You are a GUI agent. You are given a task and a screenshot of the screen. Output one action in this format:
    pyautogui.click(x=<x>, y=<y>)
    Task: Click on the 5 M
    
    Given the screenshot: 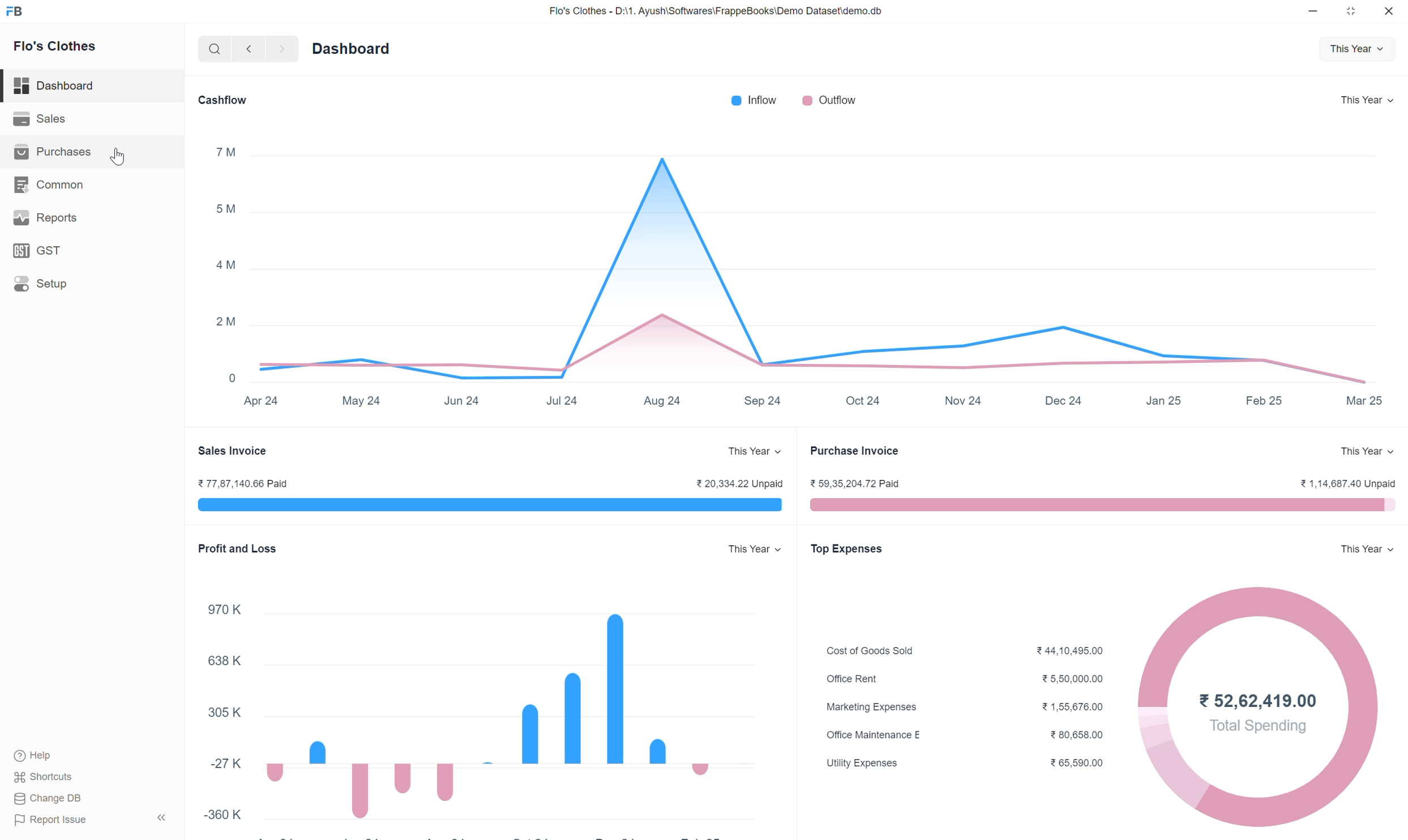 What is the action you would take?
    pyautogui.click(x=225, y=208)
    